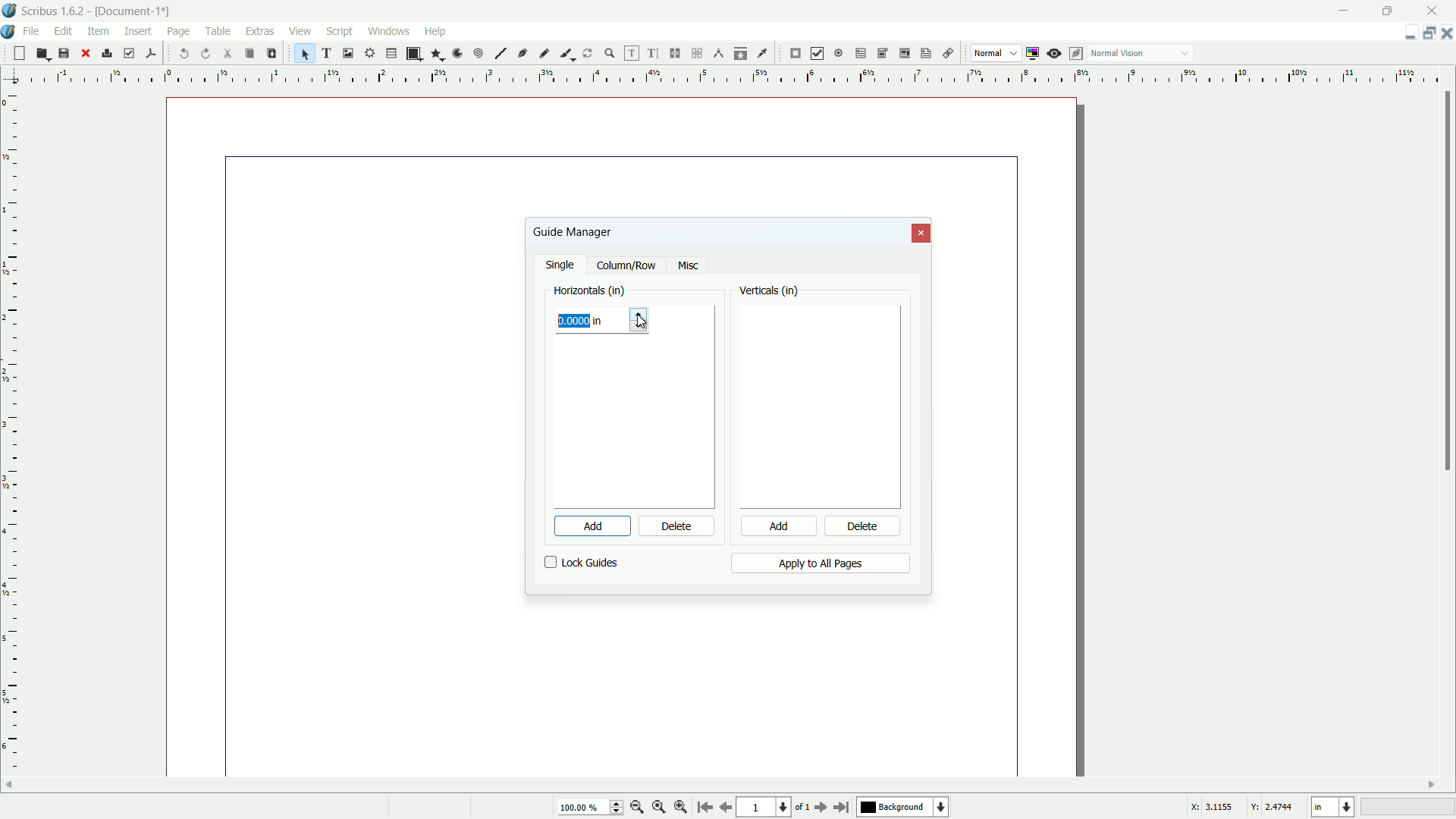 The height and width of the screenshot is (819, 1456). Describe the element at coordinates (905, 808) in the screenshot. I see `background` at that location.